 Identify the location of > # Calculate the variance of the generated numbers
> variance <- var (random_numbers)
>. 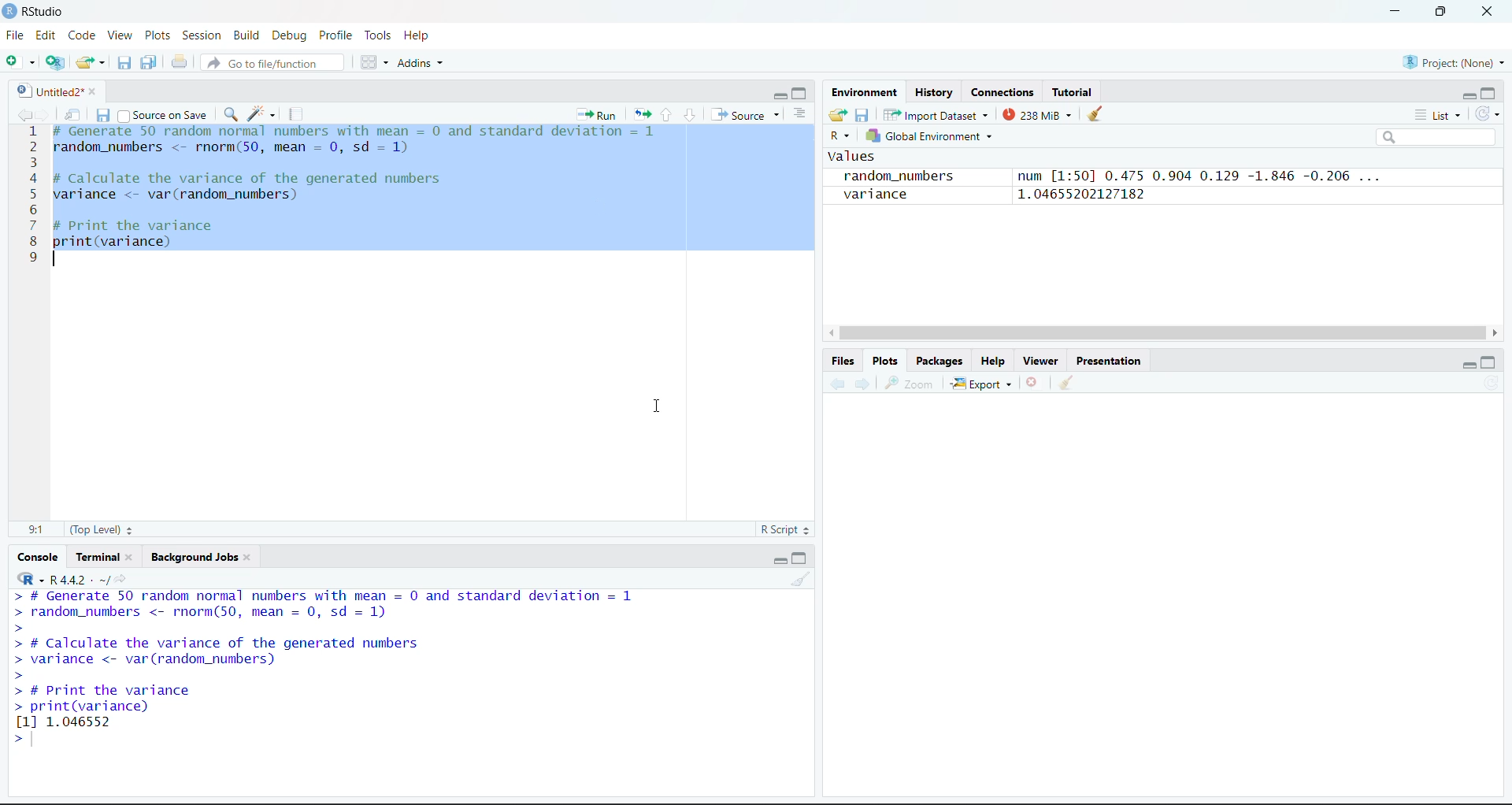
(220, 659).